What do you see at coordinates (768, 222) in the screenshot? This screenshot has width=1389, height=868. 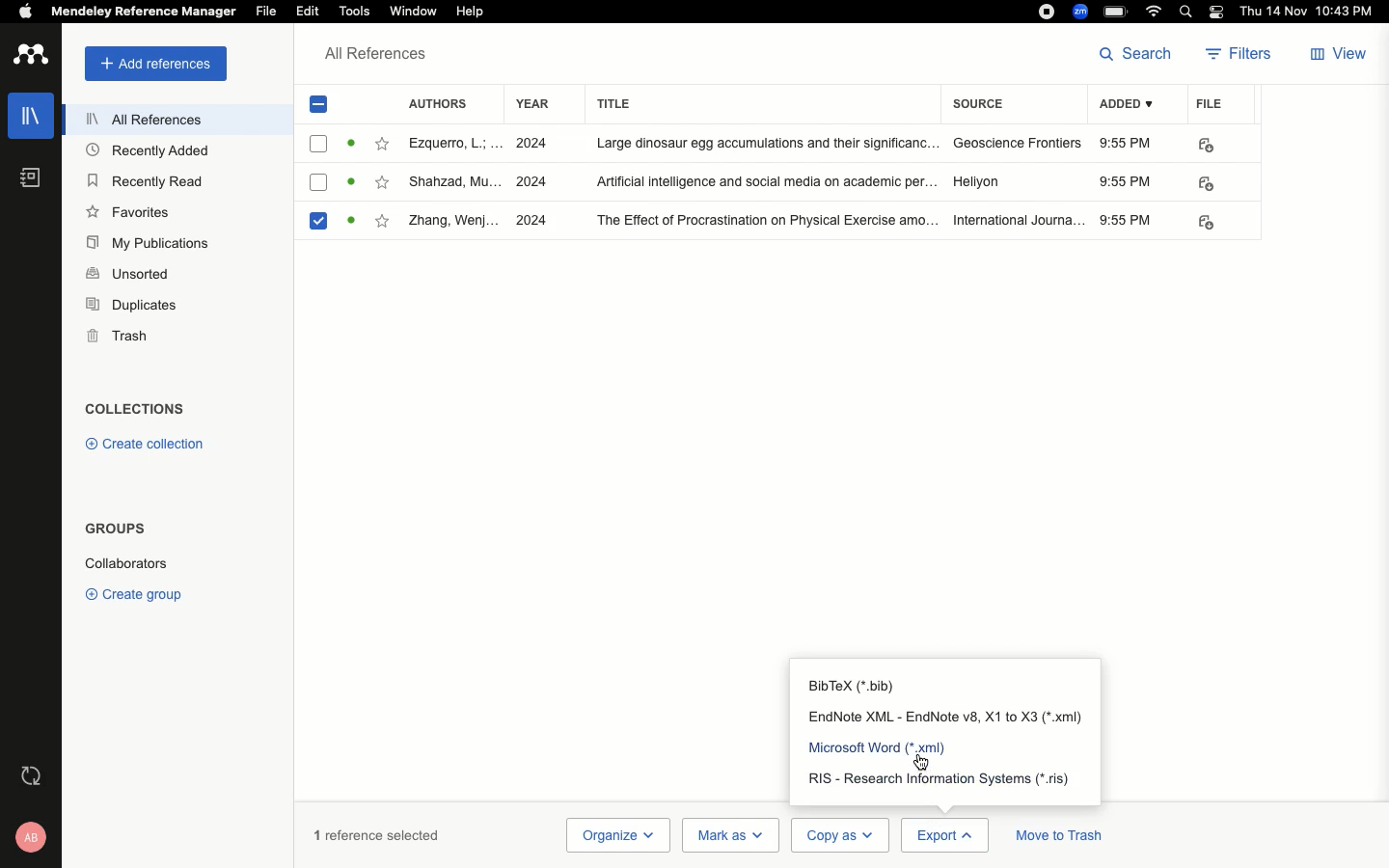 I see `the effect of procrastination on physical exercise` at bounding box center [768, 222].